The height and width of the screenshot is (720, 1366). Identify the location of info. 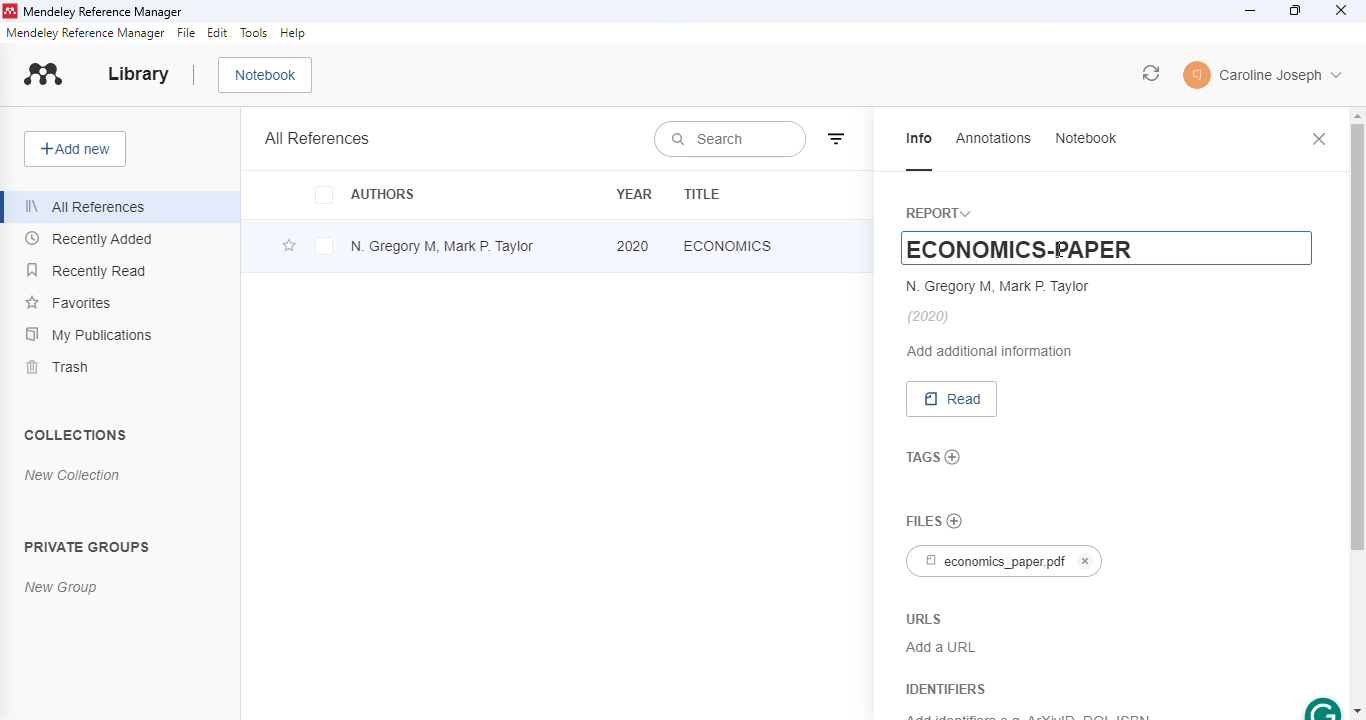
(920, 140).